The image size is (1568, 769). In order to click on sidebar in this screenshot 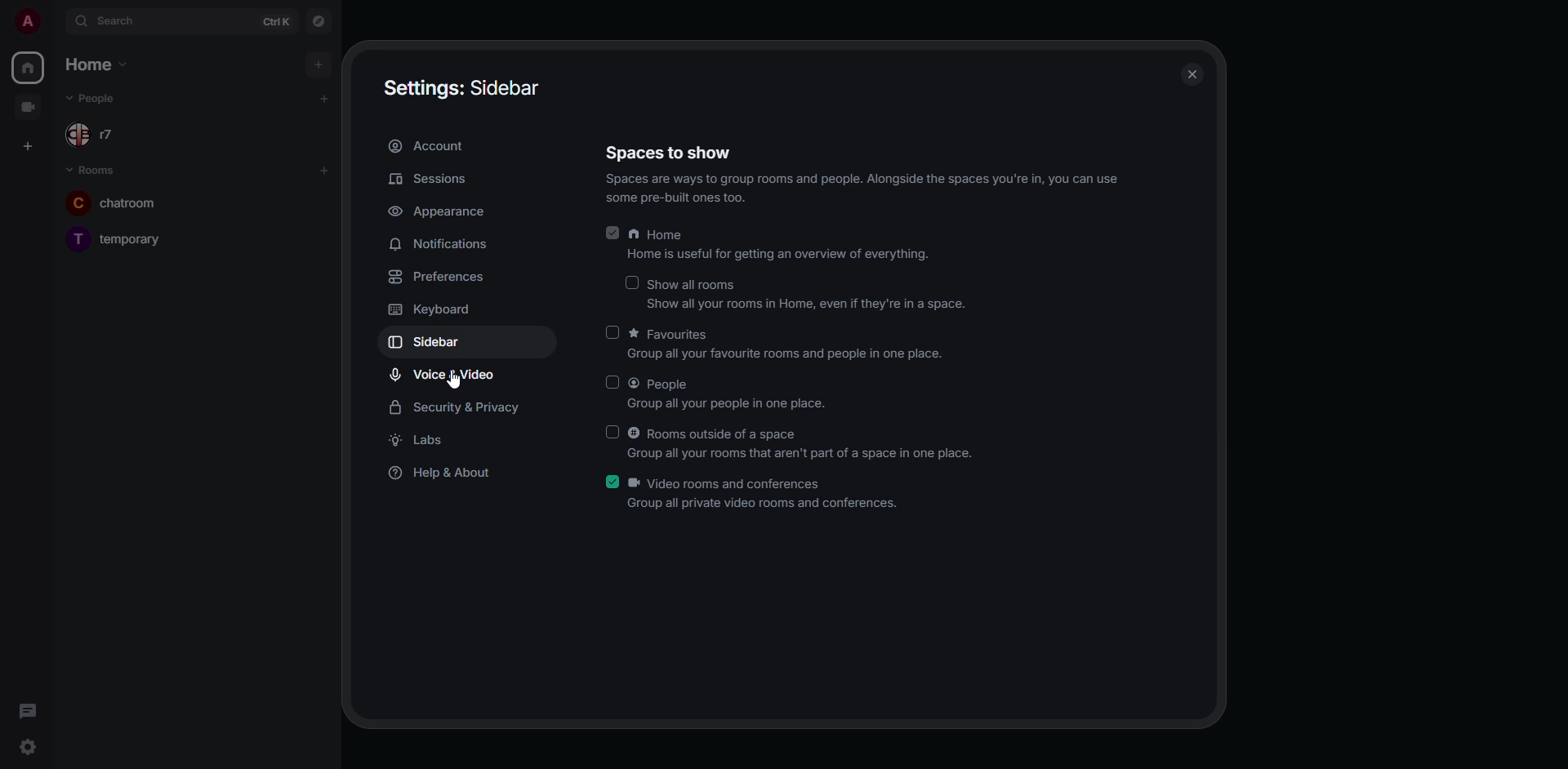, I will do `click(433, 342)`.